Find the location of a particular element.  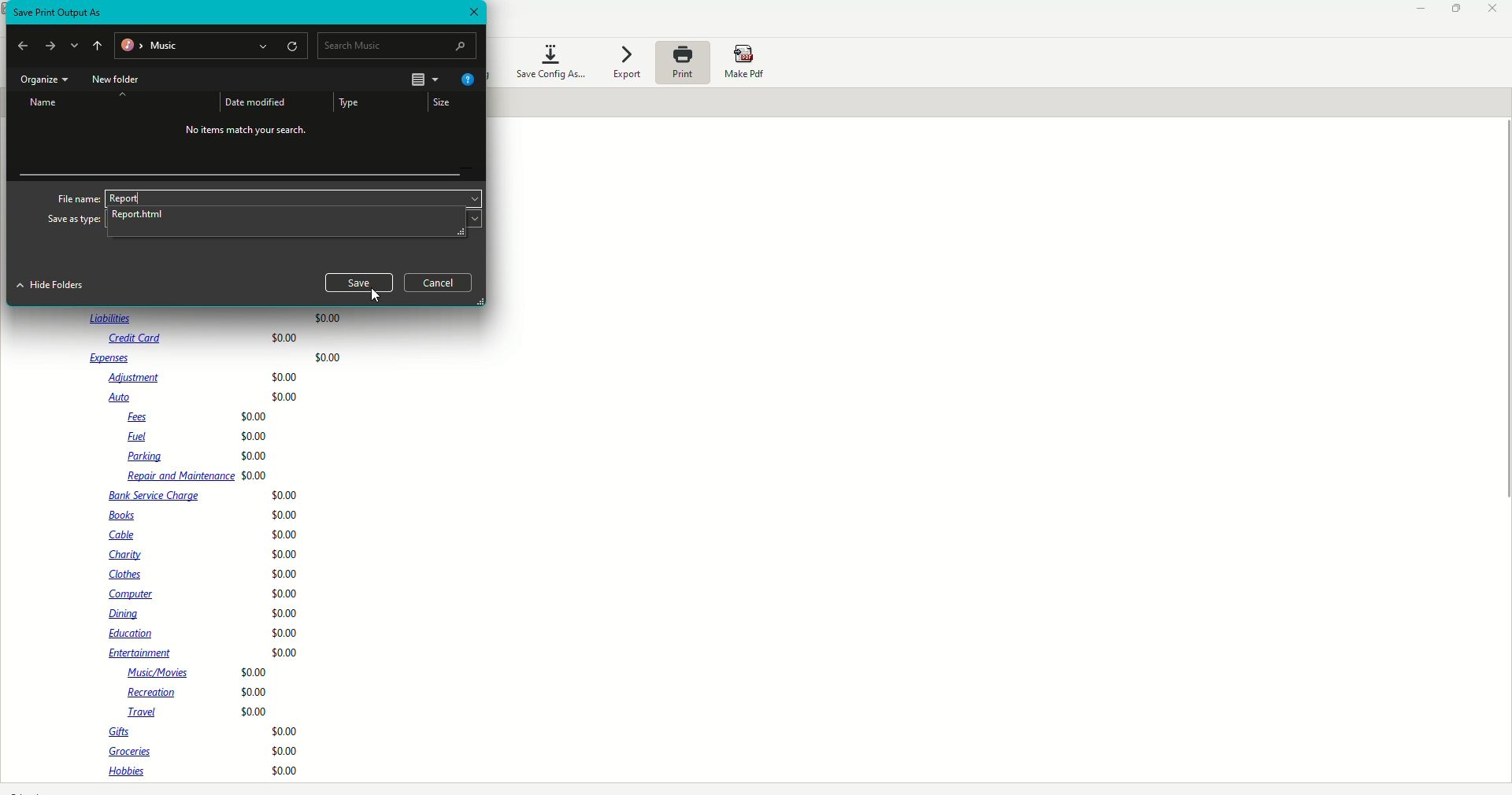

View is located at coordinates (423, 79).